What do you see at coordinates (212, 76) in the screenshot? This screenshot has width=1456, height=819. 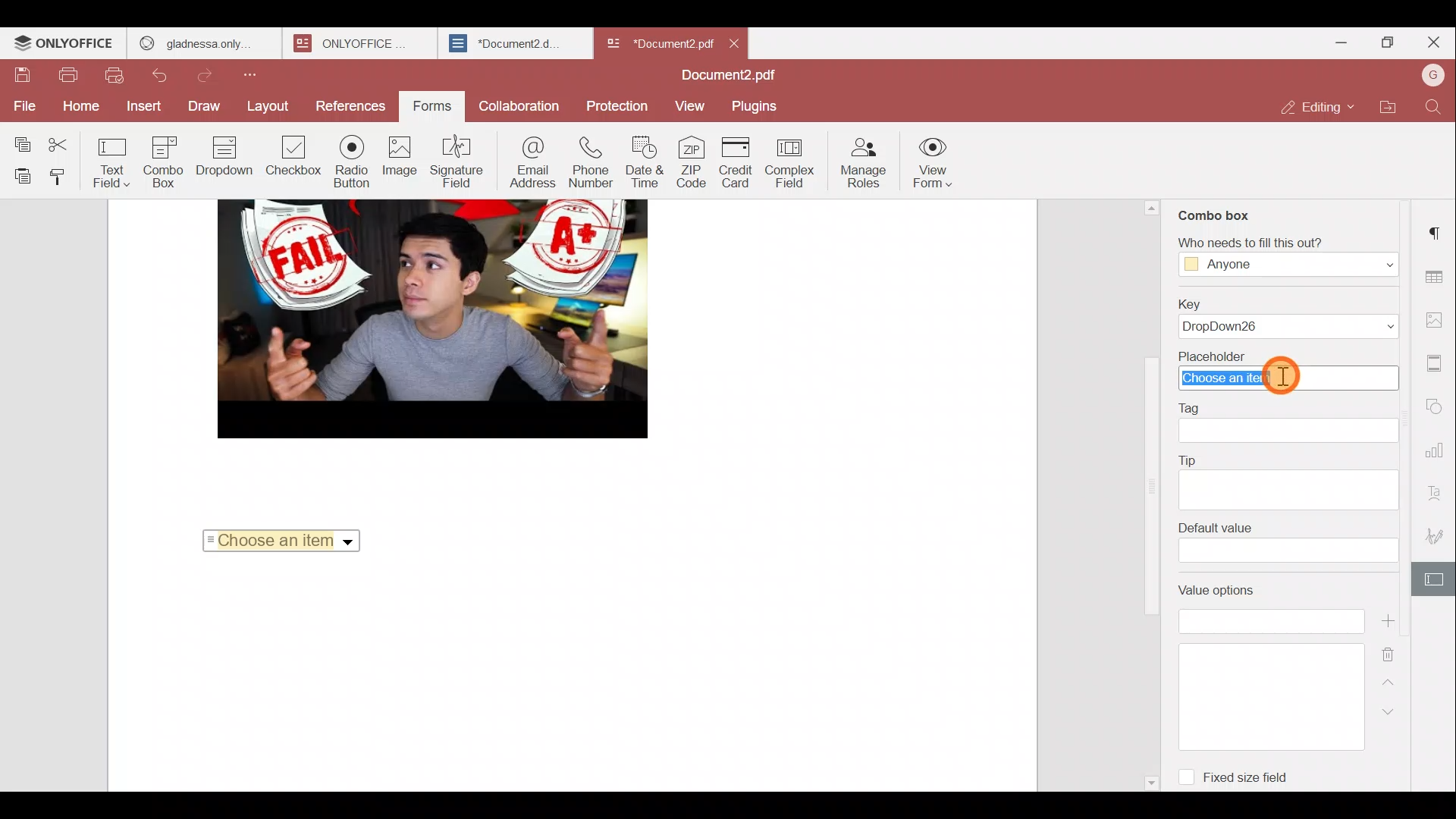 I see `Redo` at bounding box center [212, 76].